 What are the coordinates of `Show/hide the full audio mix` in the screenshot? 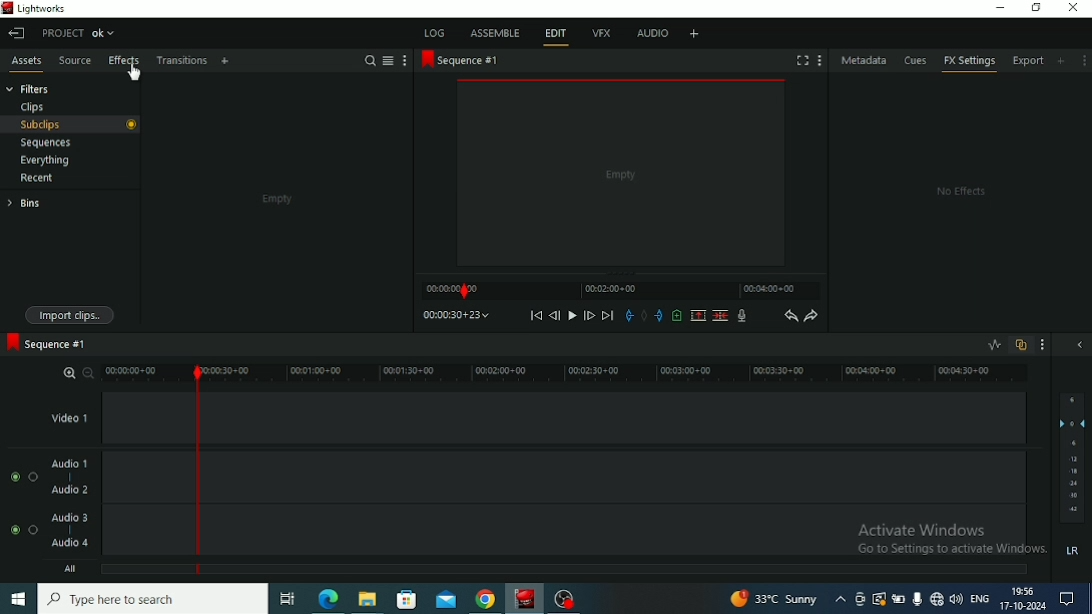 It's located at (1079, 346).